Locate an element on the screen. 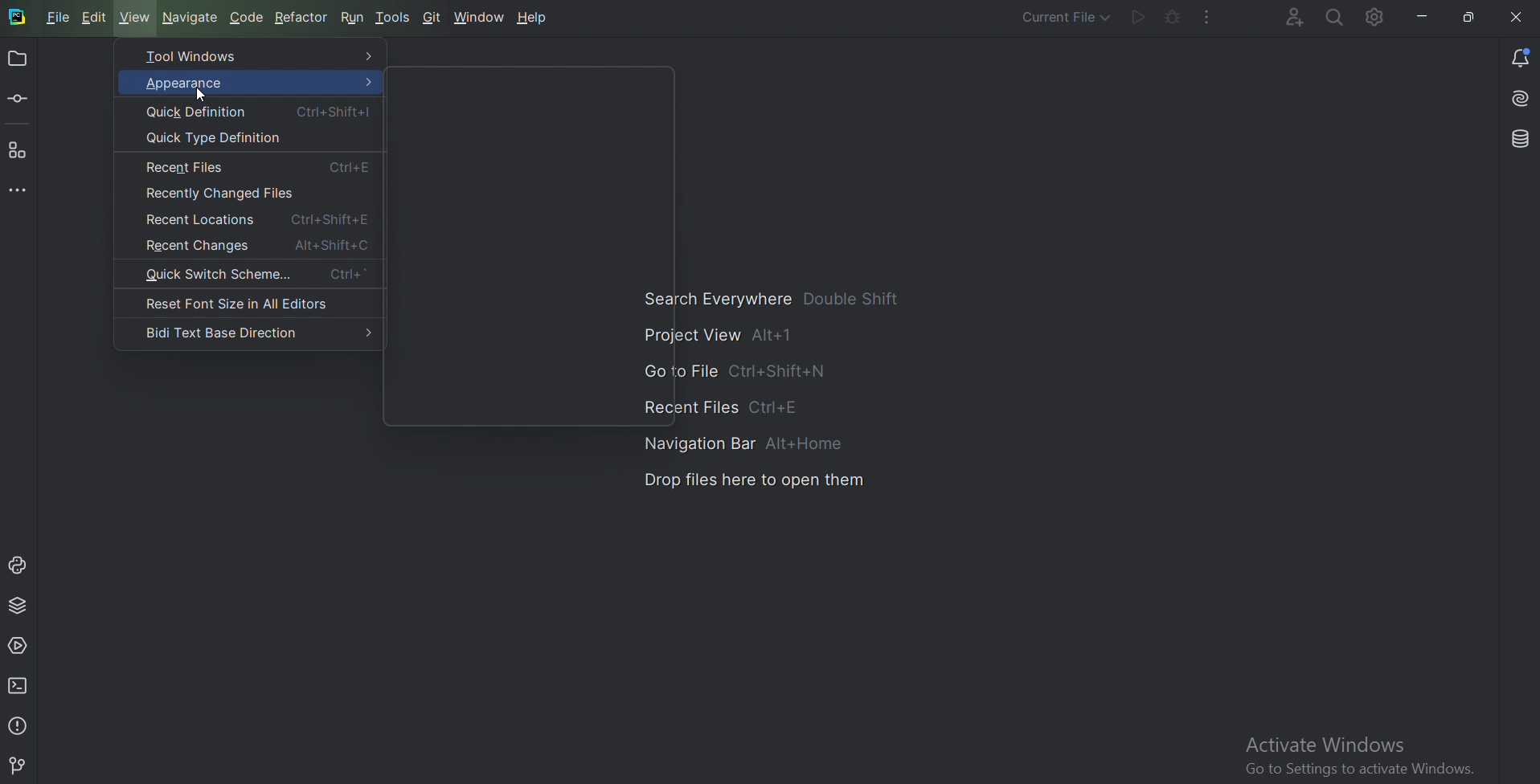 The height and width of the screenshot is (784, 1540). Recent locations is located at coordinates (257, 219).